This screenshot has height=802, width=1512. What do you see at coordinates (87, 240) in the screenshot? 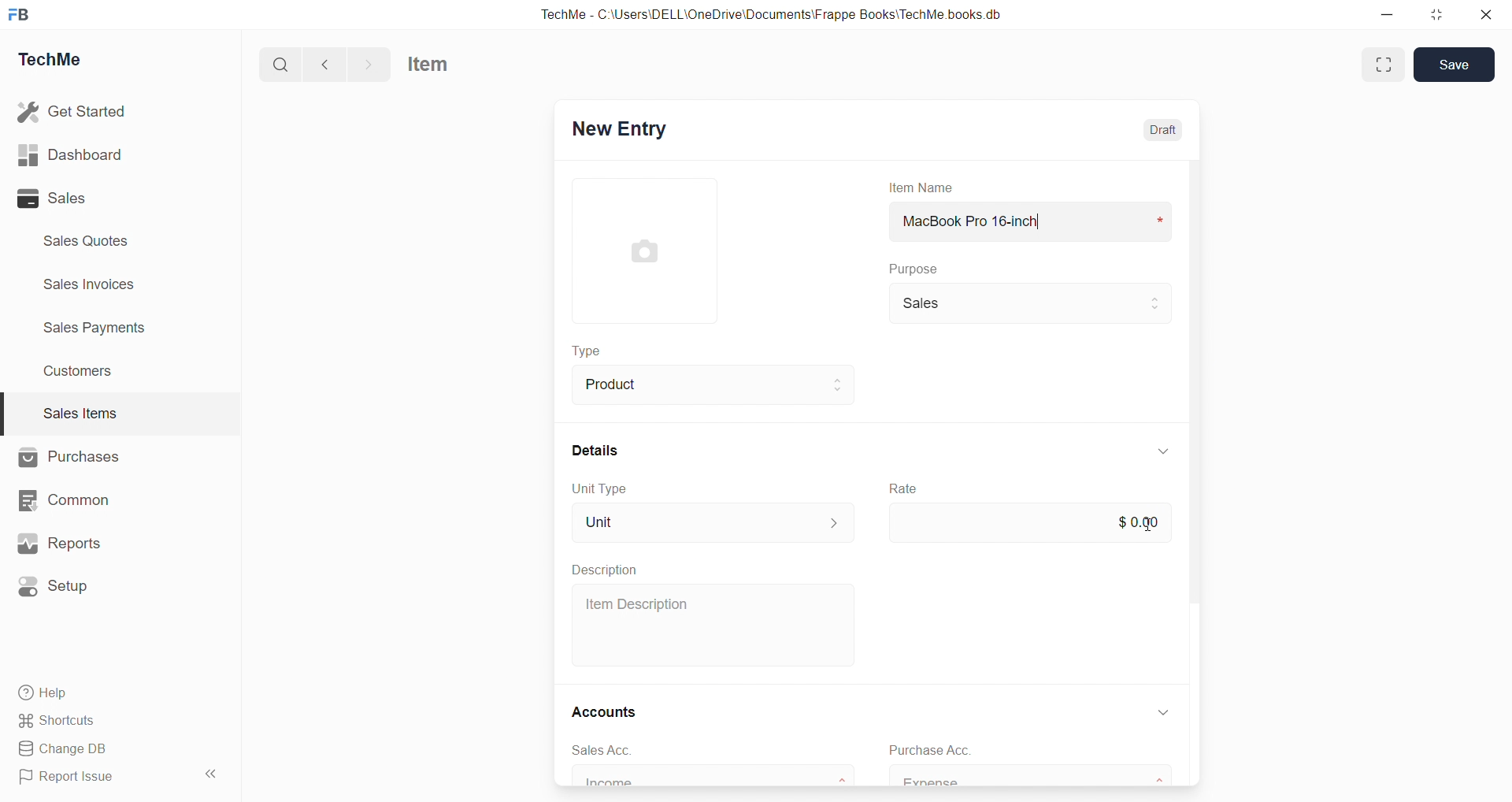
I see `Sales Quotes` at bounding box center [87, 240].